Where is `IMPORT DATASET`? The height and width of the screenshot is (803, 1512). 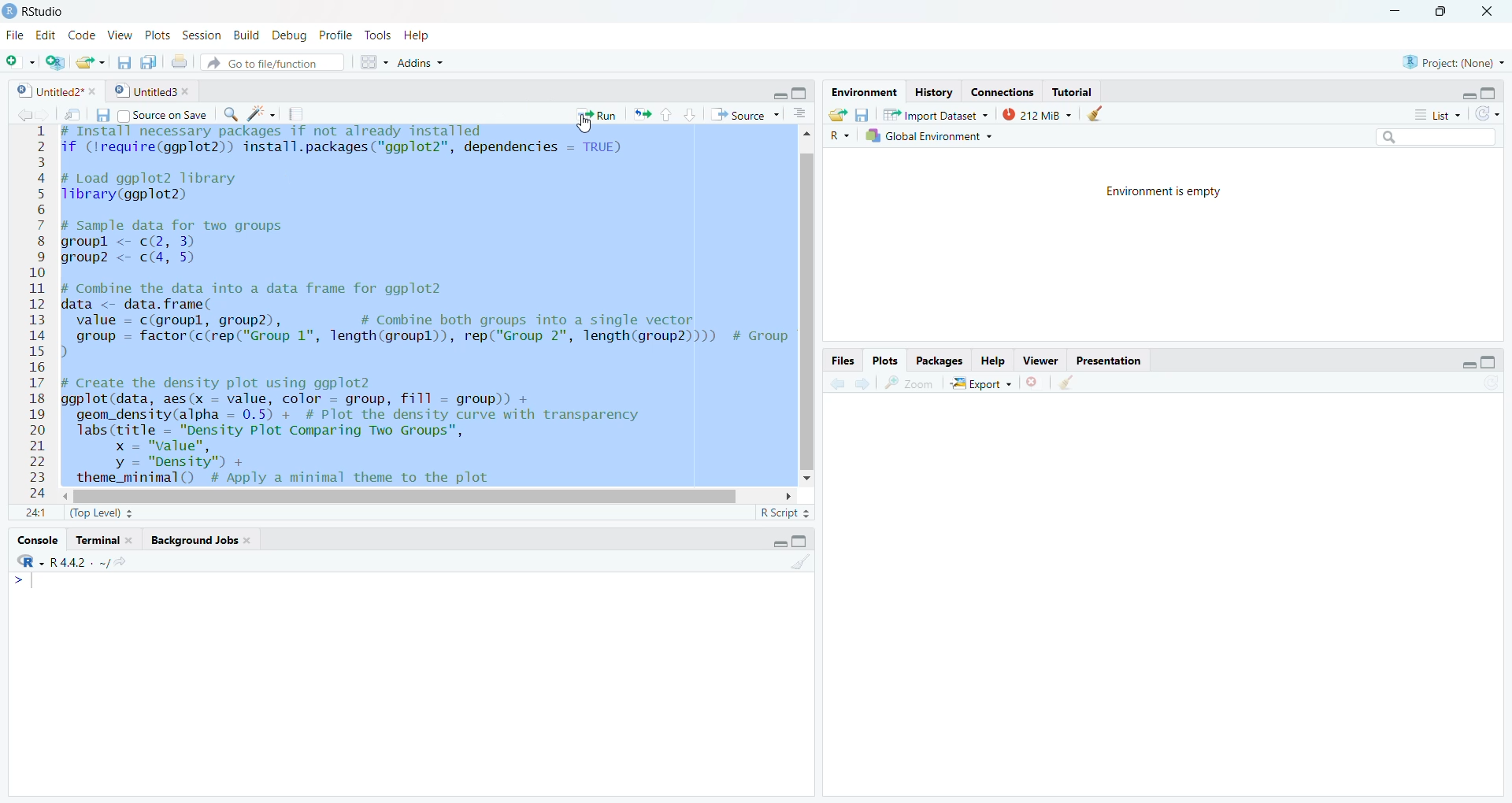
IMPORT DATASET is located at coordinates (936, 116).